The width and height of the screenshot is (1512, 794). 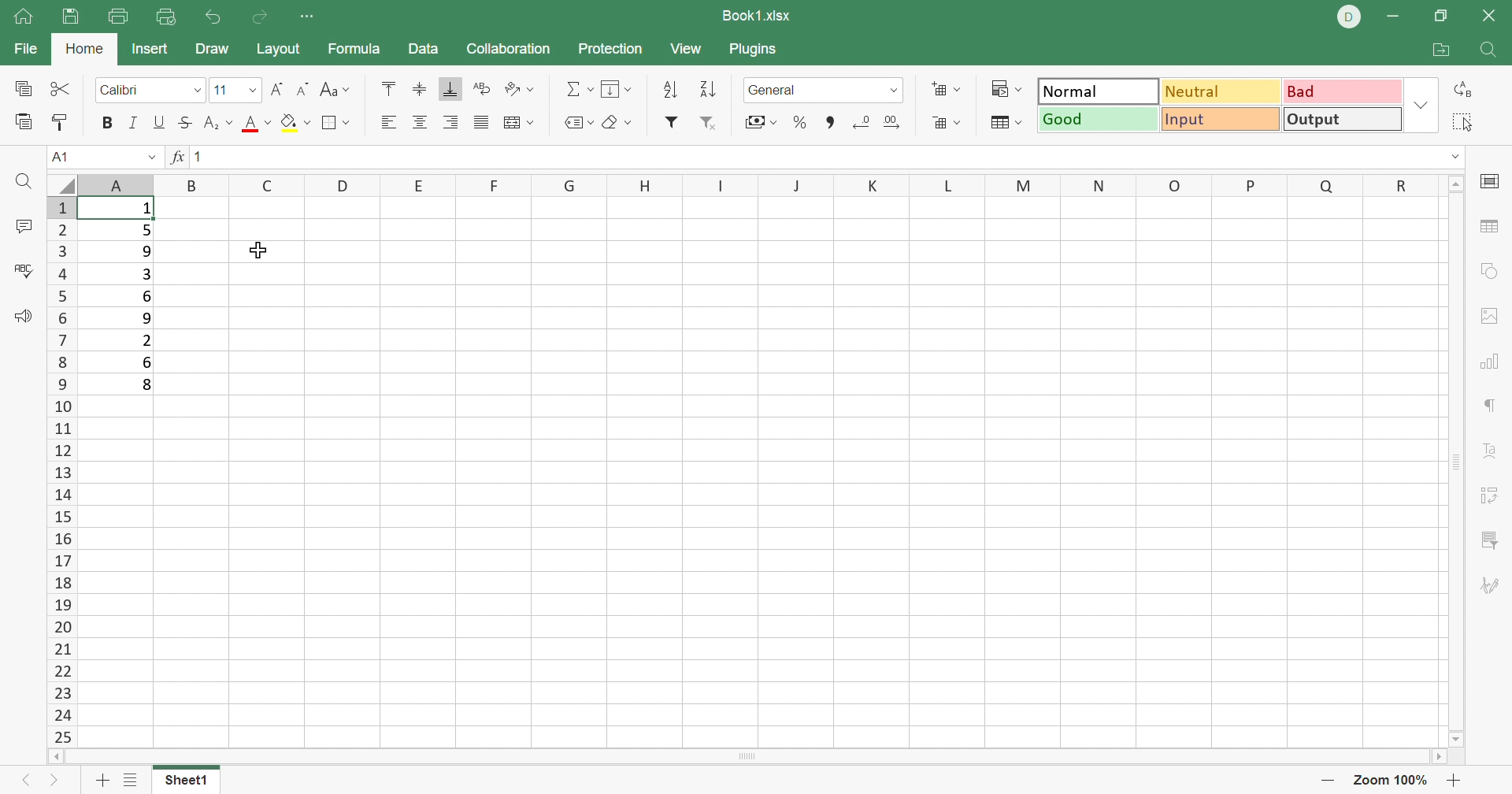 What do you see at coordinates (84, 50) in the screenshot?
I see `Home` at bounding box center [84, 50].